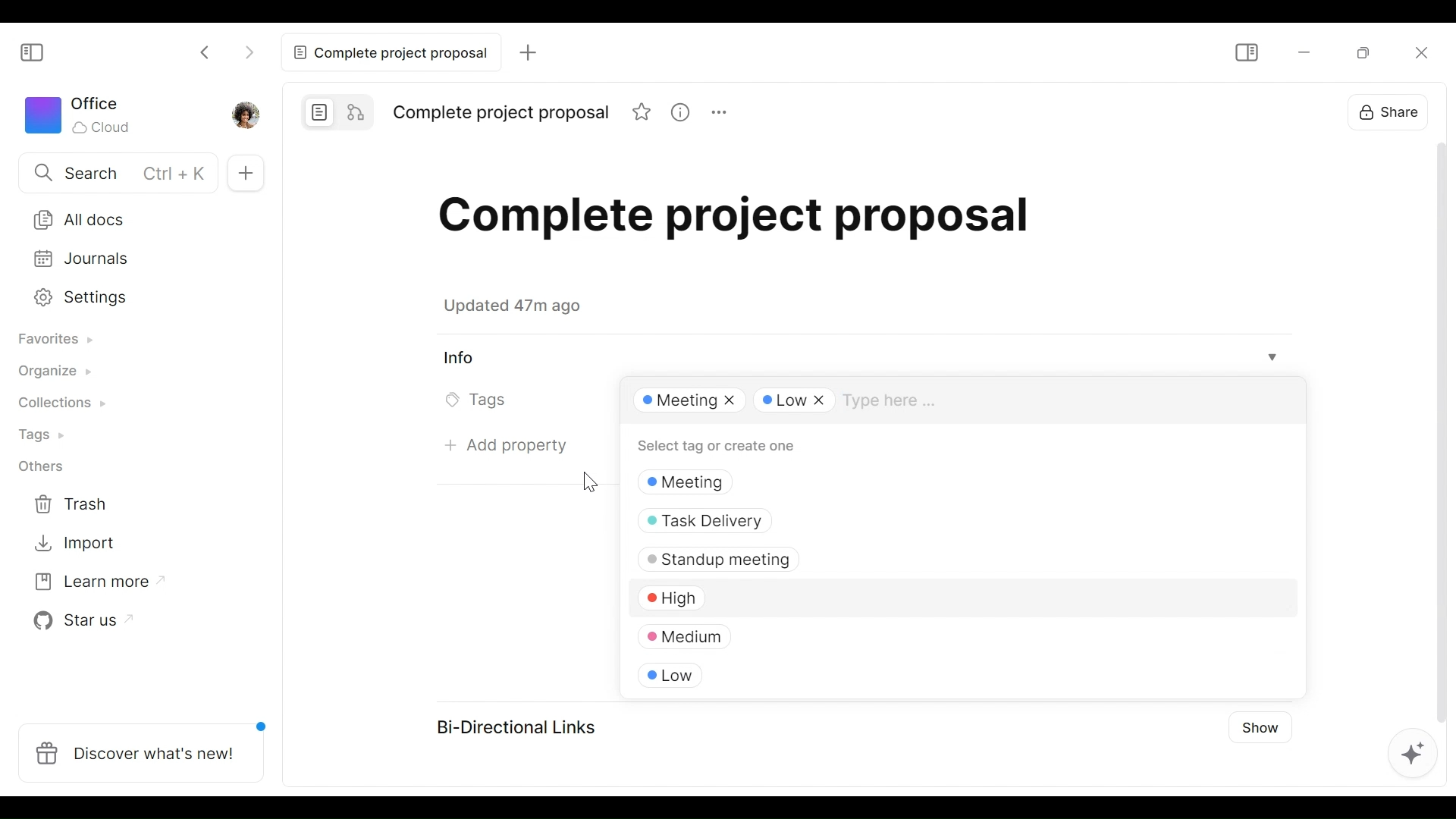  I want to click on Bi-Directional Links, so click(522, 725).